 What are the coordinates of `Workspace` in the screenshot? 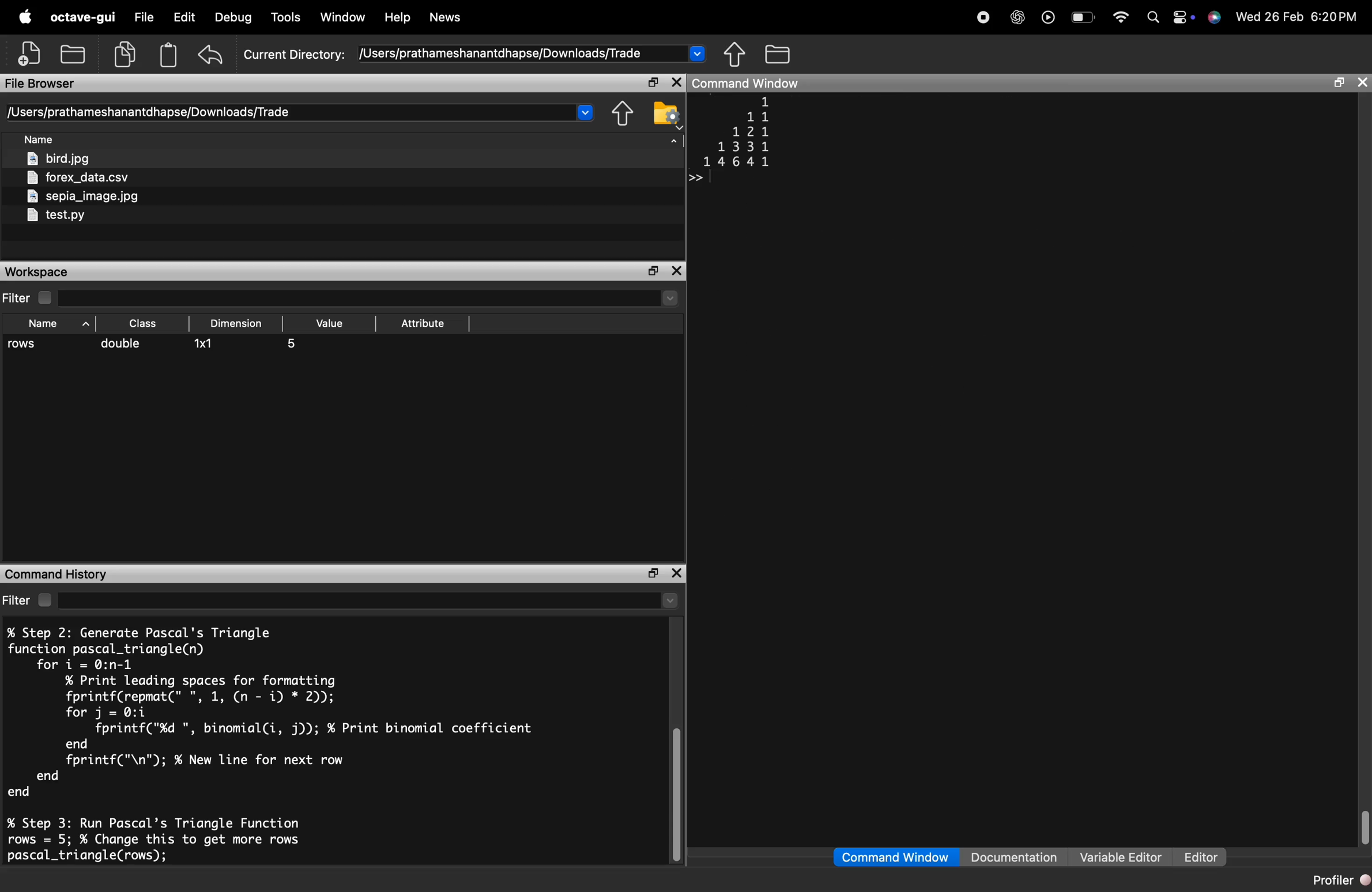 It's located at (38, 272).